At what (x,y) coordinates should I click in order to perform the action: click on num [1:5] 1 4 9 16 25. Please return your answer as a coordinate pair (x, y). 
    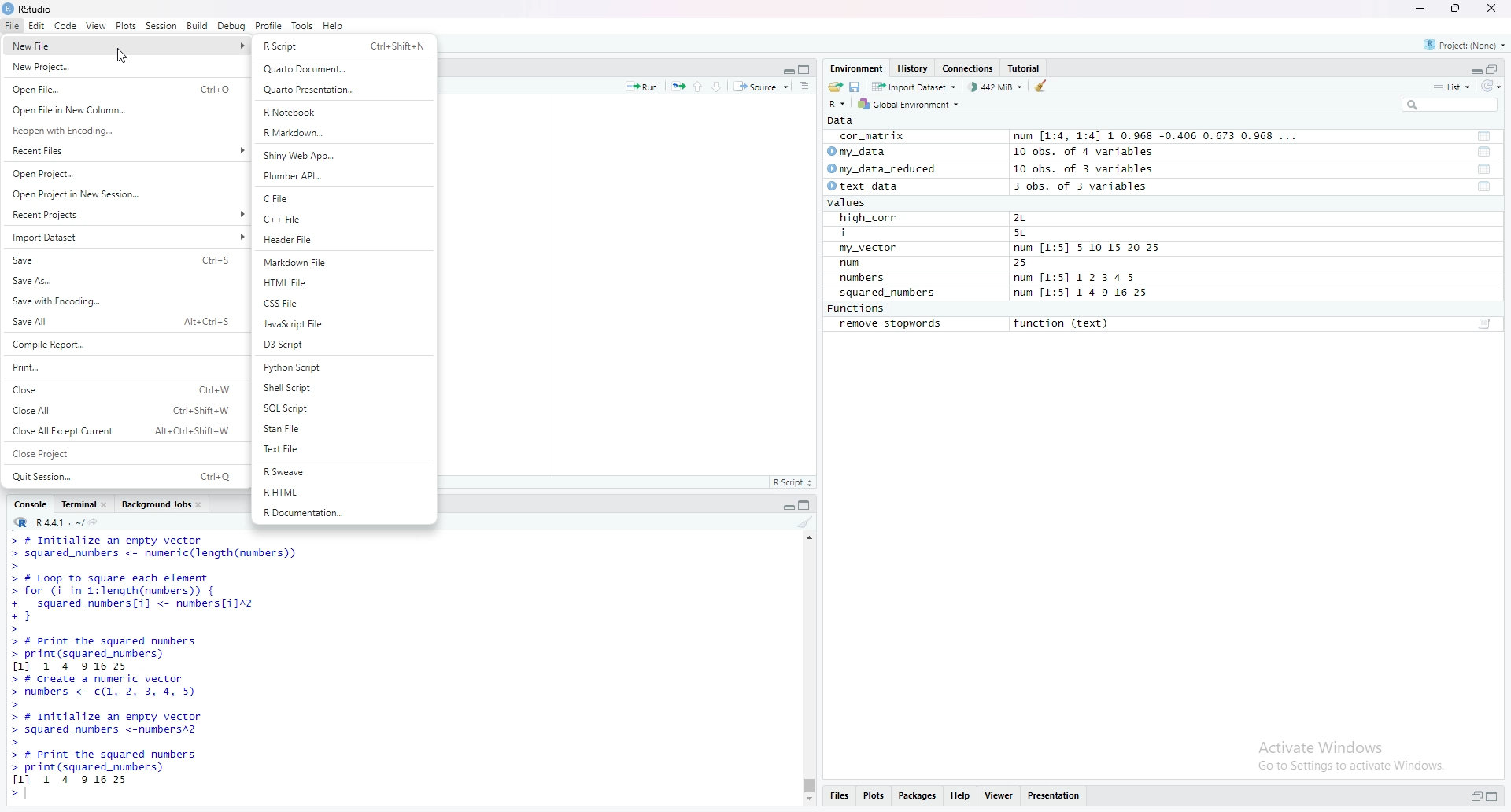
    Looking at the image, I should click on (1081, 293).